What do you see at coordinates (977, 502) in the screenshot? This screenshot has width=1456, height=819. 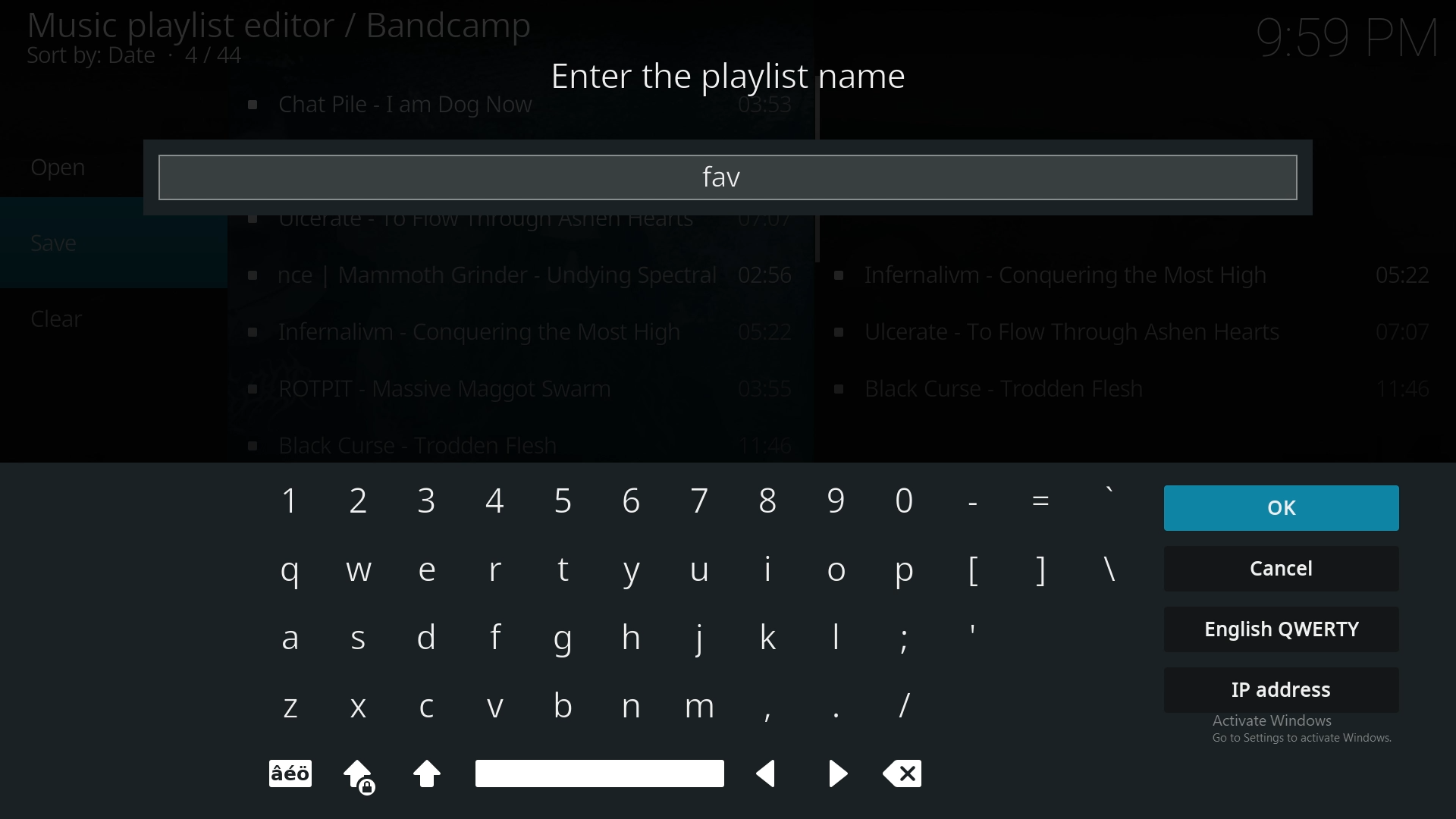 I see `keyboard input` at bounding box center [977, 502].